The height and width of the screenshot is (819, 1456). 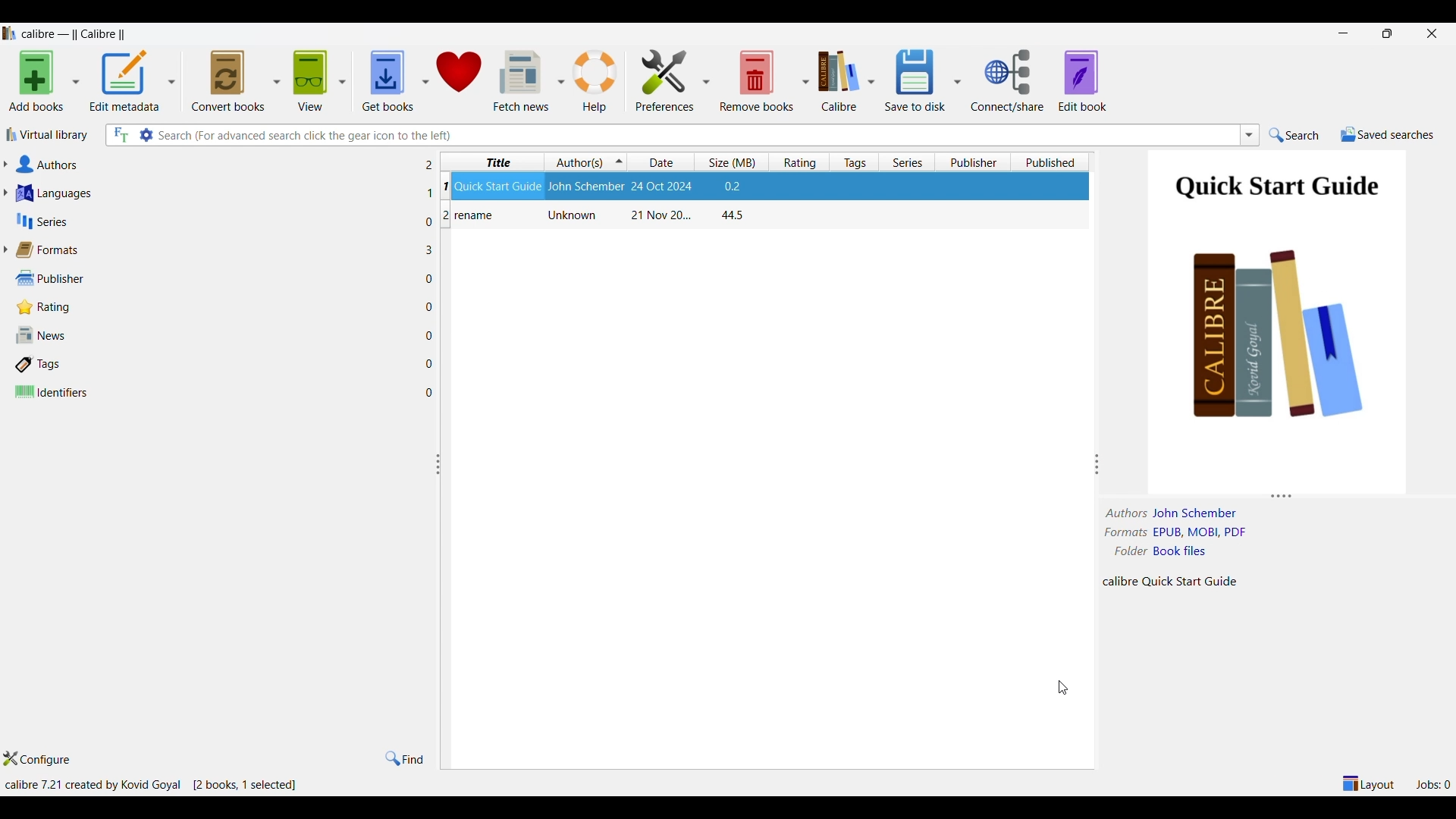 What do you see at coordinates (977, 162) in the screenshot?
I see `Publisher column` at bounding box center [977, 162].